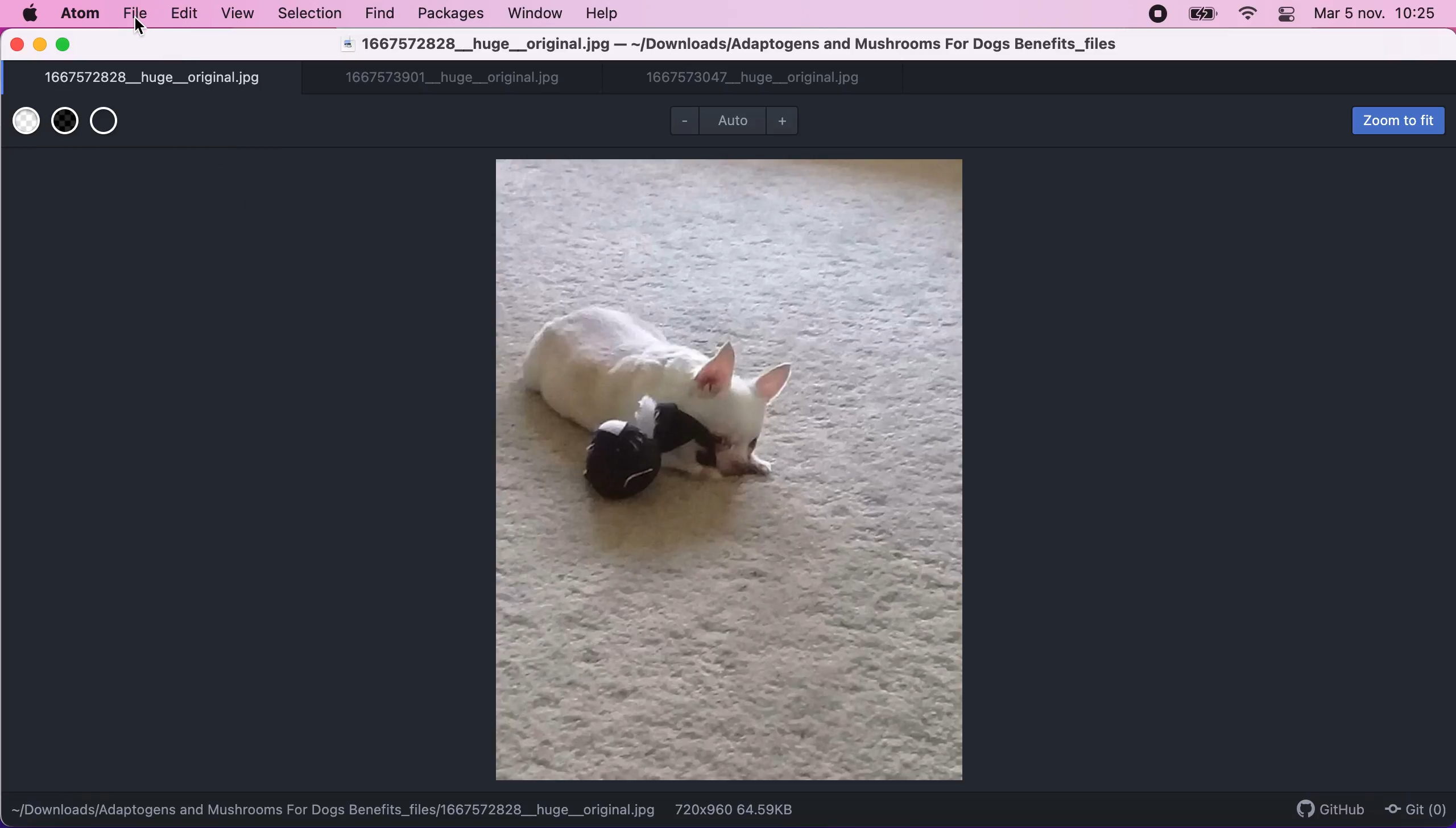 The image size is (1456, 828). What do you see at coordinates (40, 45) in the screenshot?
I see `minimize` at bounding box center [40, 45].